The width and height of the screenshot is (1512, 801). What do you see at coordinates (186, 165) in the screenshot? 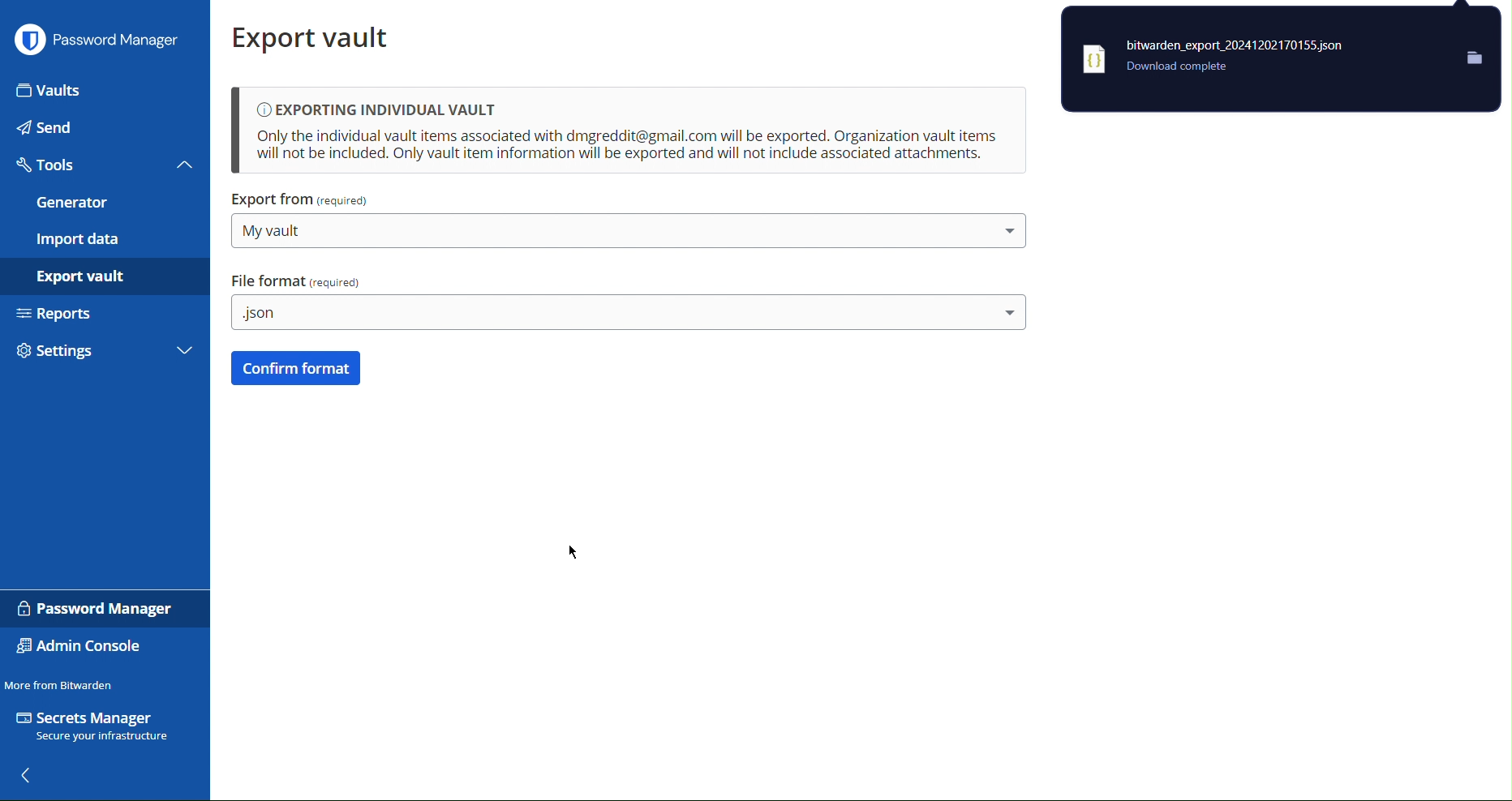
I see `Close tools` at bounding box center [186, 165].